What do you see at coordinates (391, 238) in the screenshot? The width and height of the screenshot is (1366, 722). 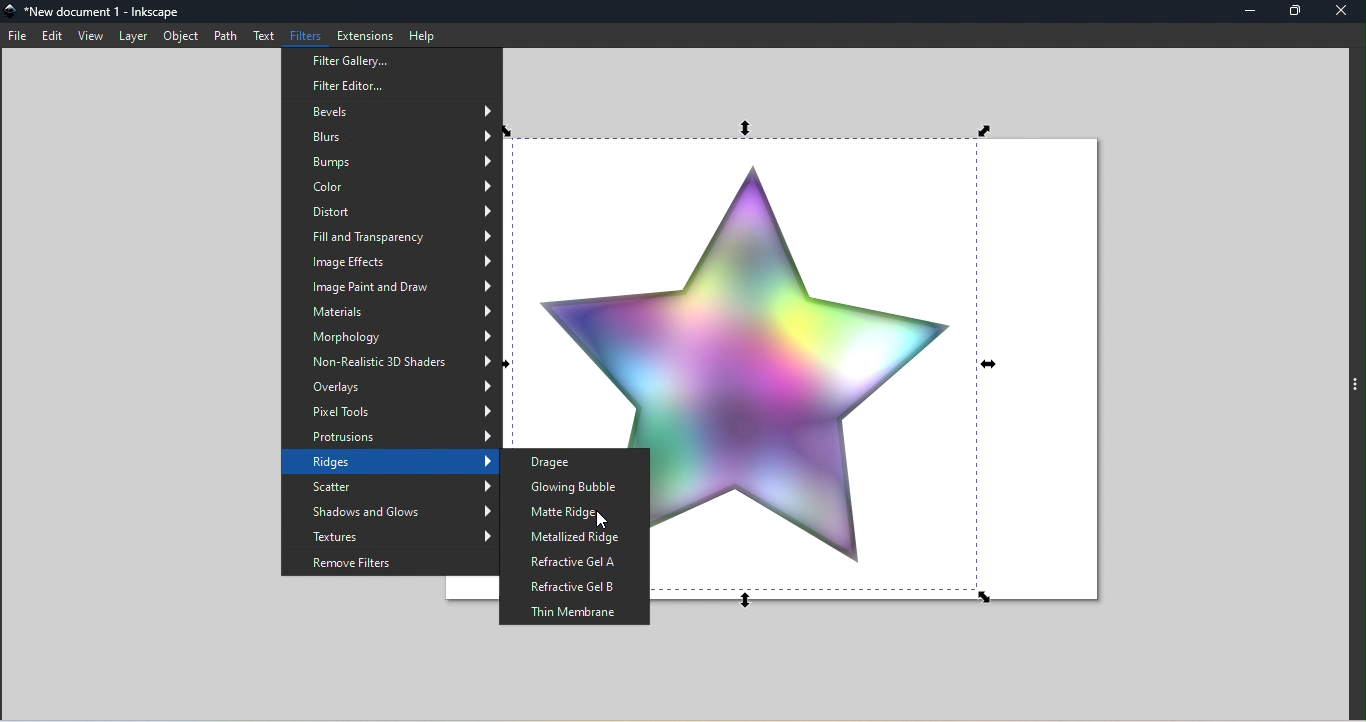 I see `Fill and transparency` at bounding box center [391, 238].